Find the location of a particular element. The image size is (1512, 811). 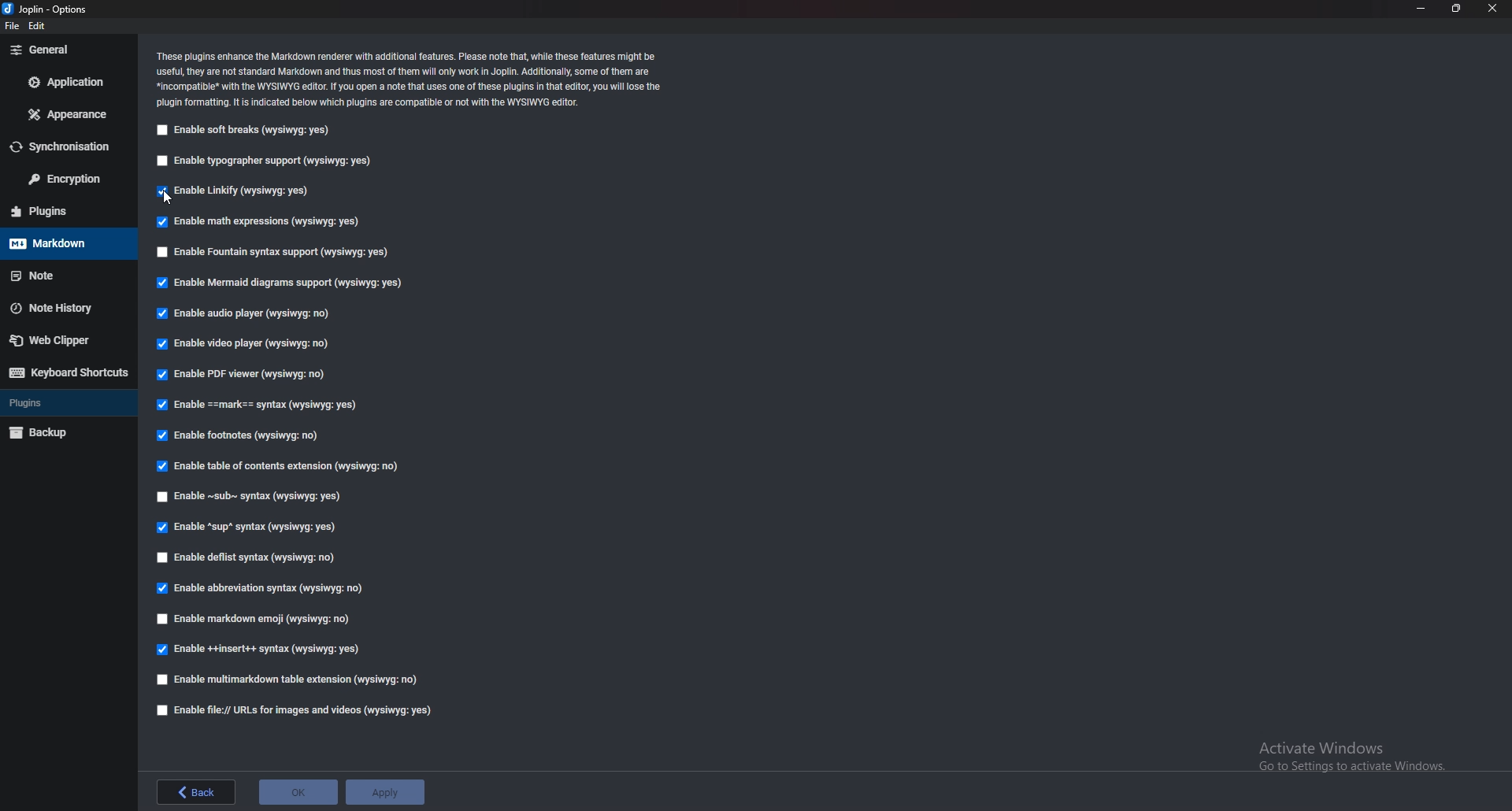

close is located at coordinates (1493, 9).